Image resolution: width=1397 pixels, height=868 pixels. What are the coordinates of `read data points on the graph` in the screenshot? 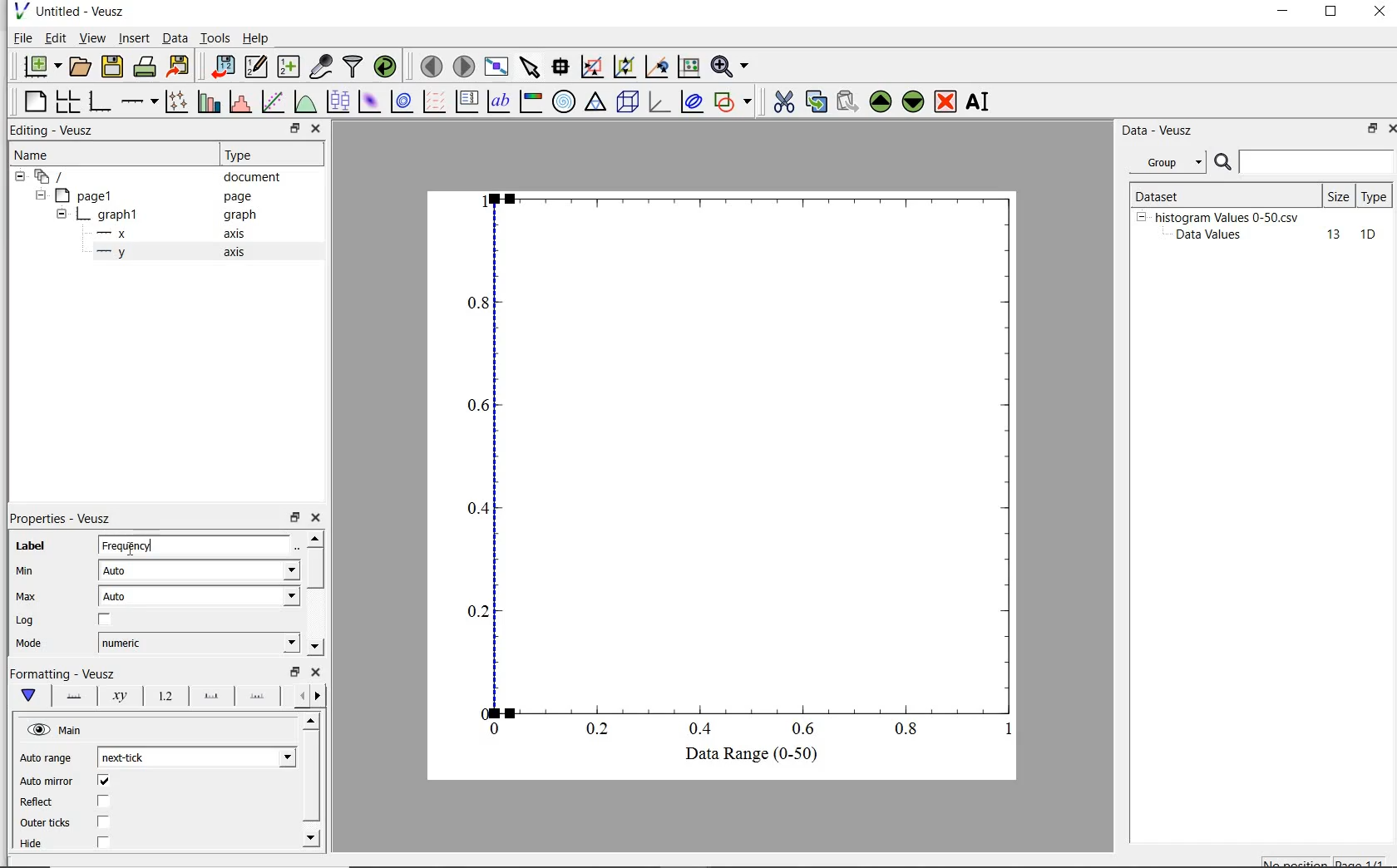 It's located at (562, 67).